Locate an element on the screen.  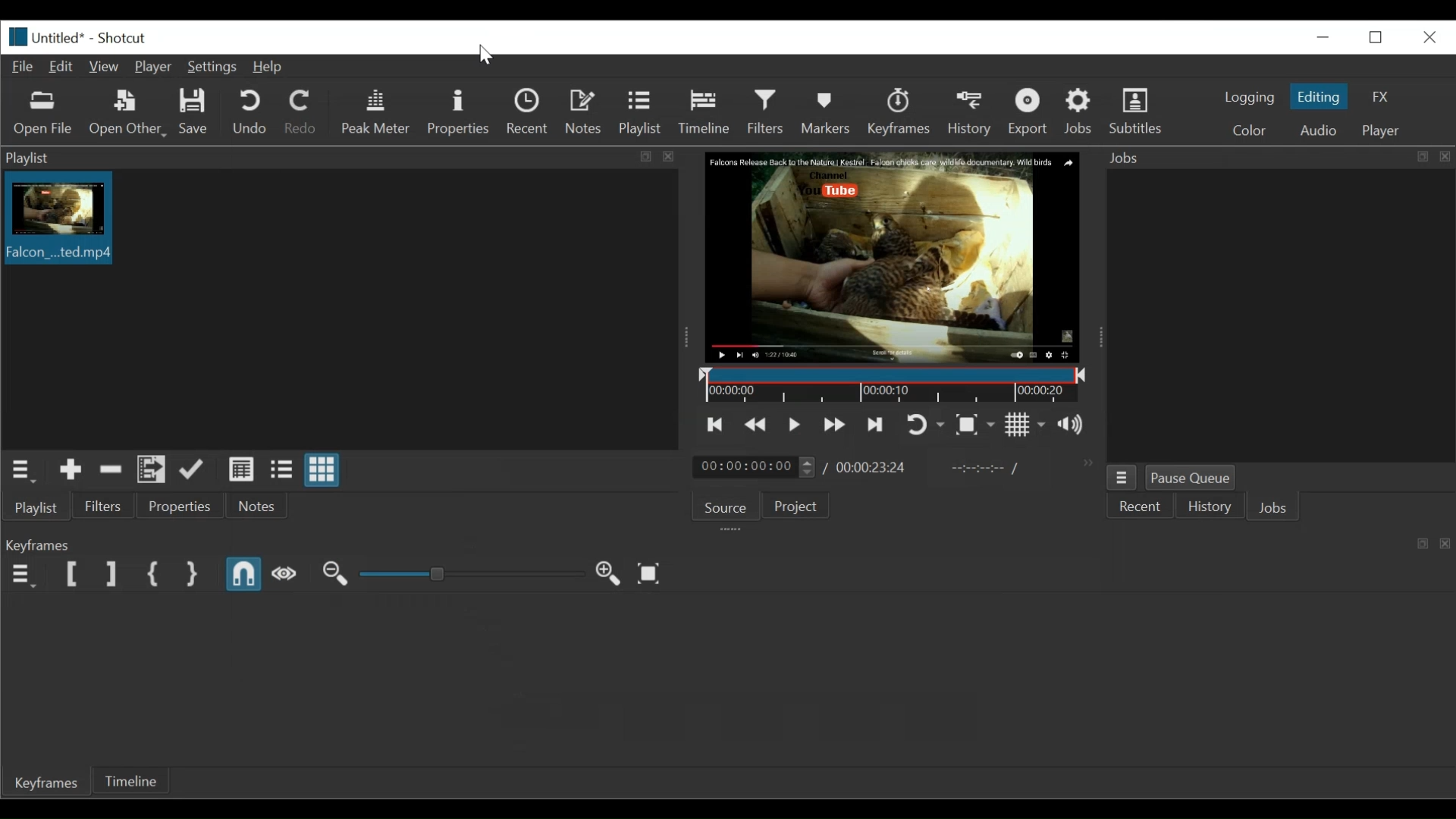
Redo is located at coordinates (301, 115).